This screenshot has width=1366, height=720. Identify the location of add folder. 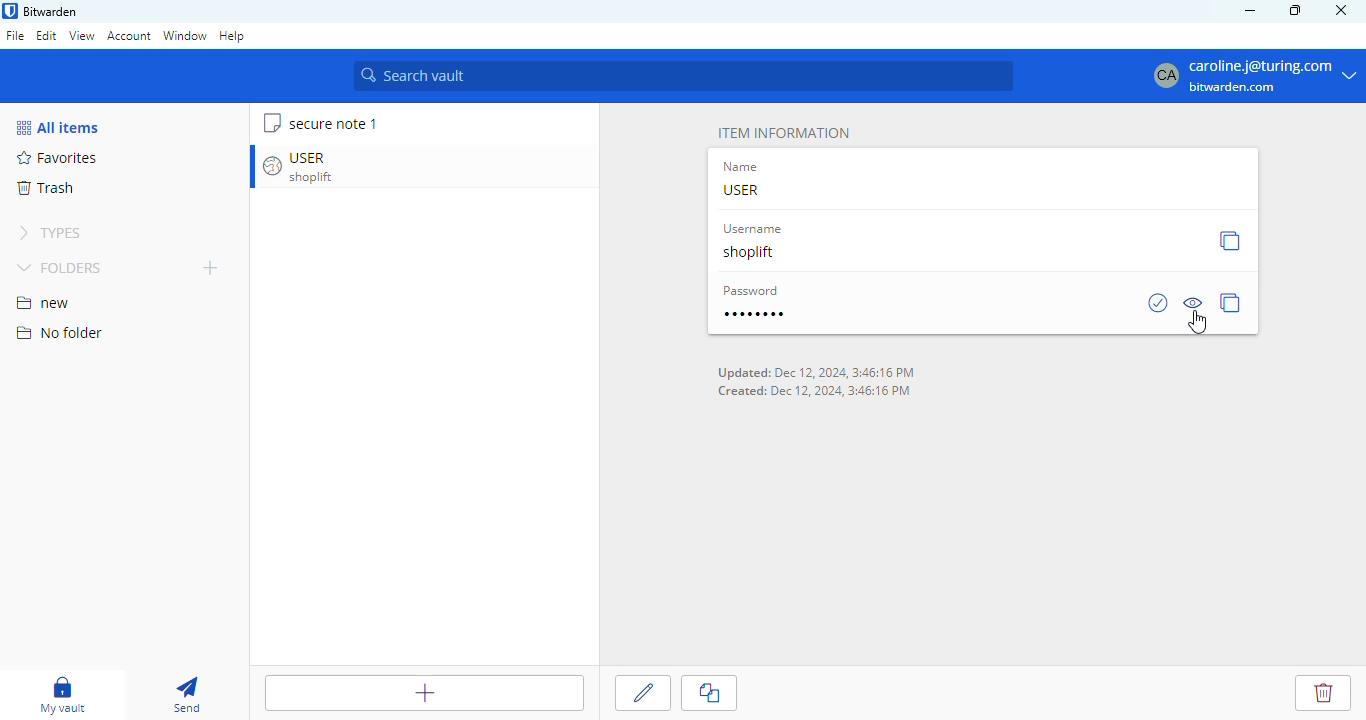
(211, 268).